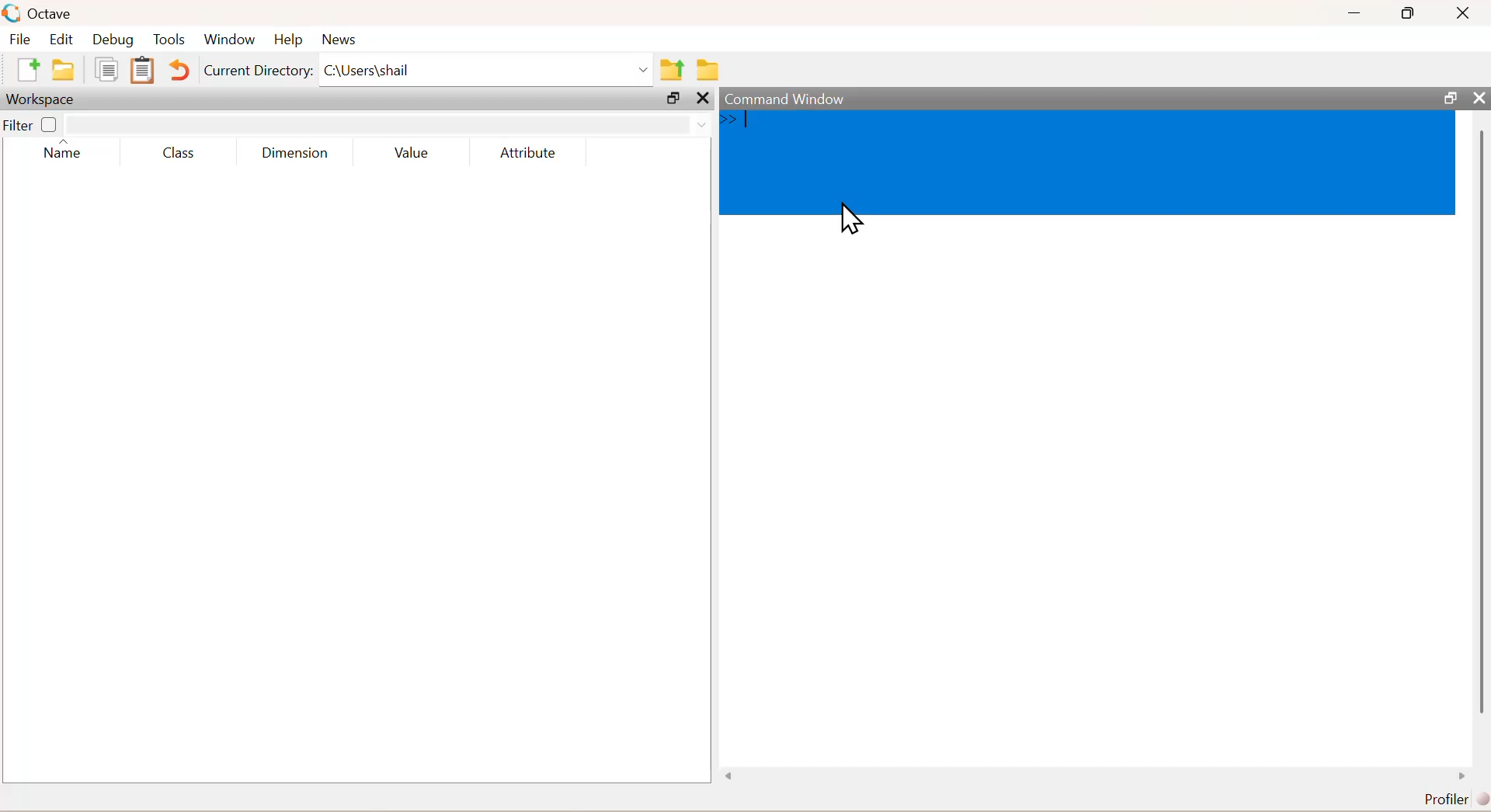 The height and width of the screenshot is (812, 1491). What do you see at coordinates (645, 70) in the screenshot?
I see `Drop-down ` at bounding box center [645, 70].